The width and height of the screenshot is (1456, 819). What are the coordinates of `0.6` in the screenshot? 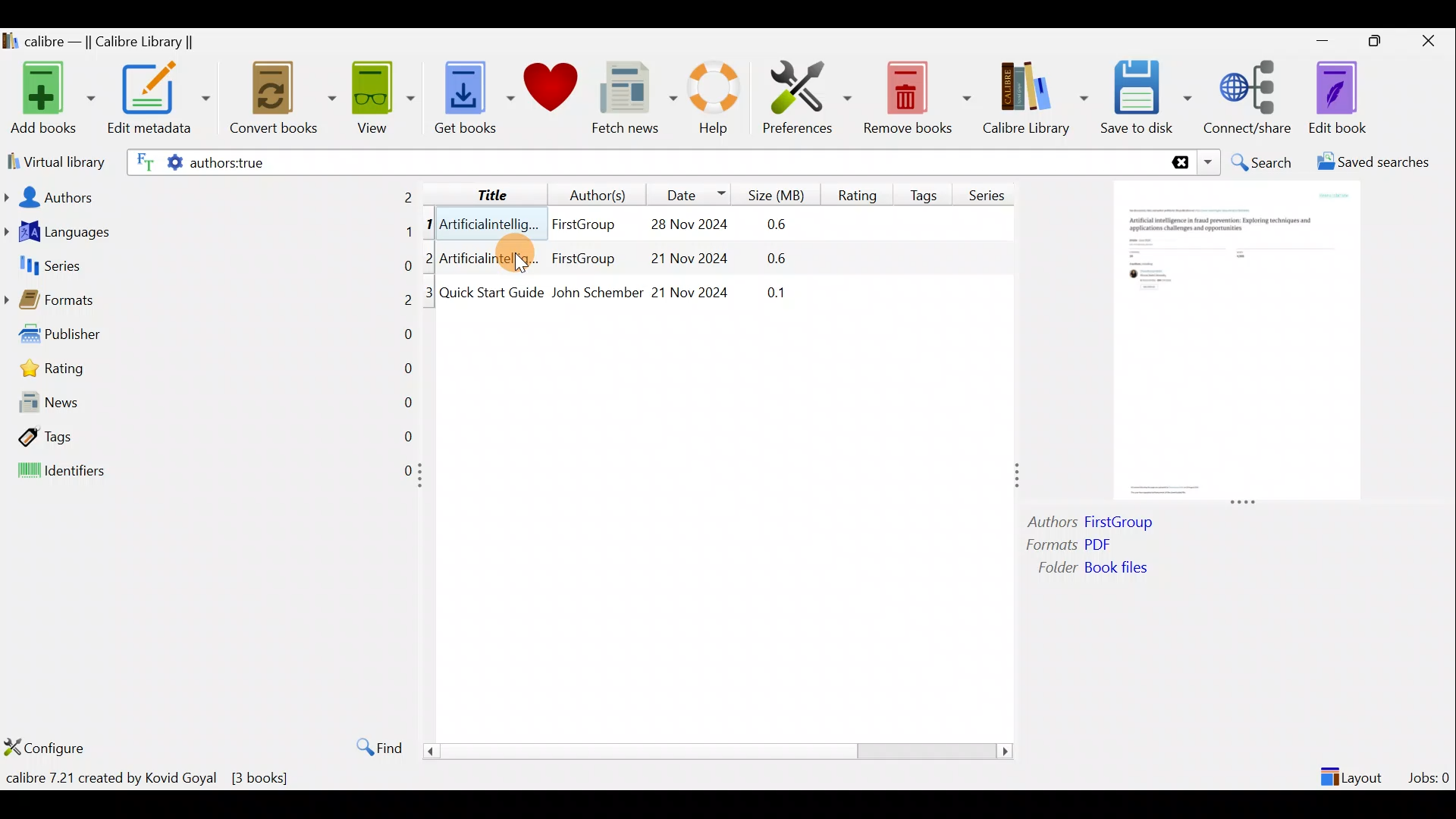 It's located at (782, 225).